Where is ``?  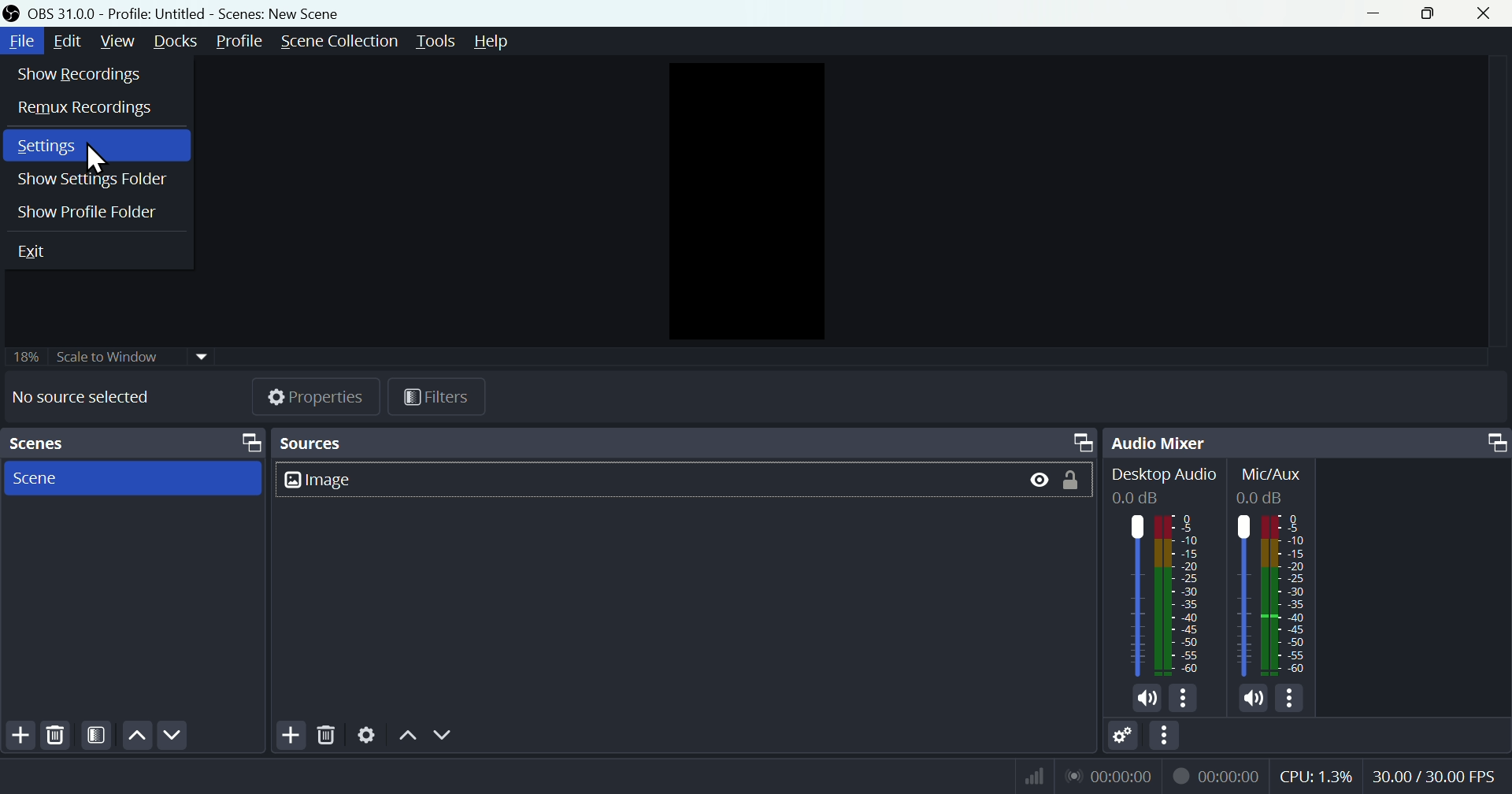
 is located at coordinates (1067, 481).